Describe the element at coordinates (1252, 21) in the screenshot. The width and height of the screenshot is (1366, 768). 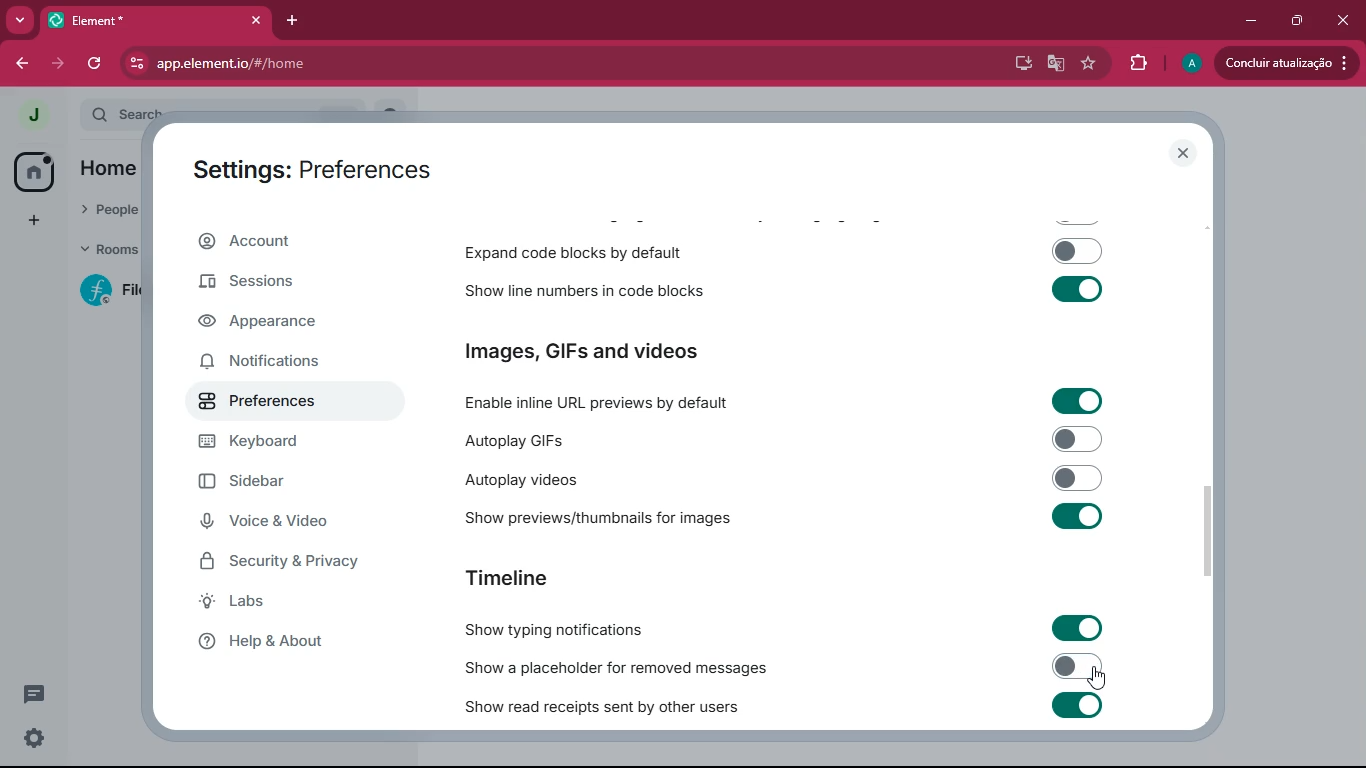
I see `minimize` at that location.